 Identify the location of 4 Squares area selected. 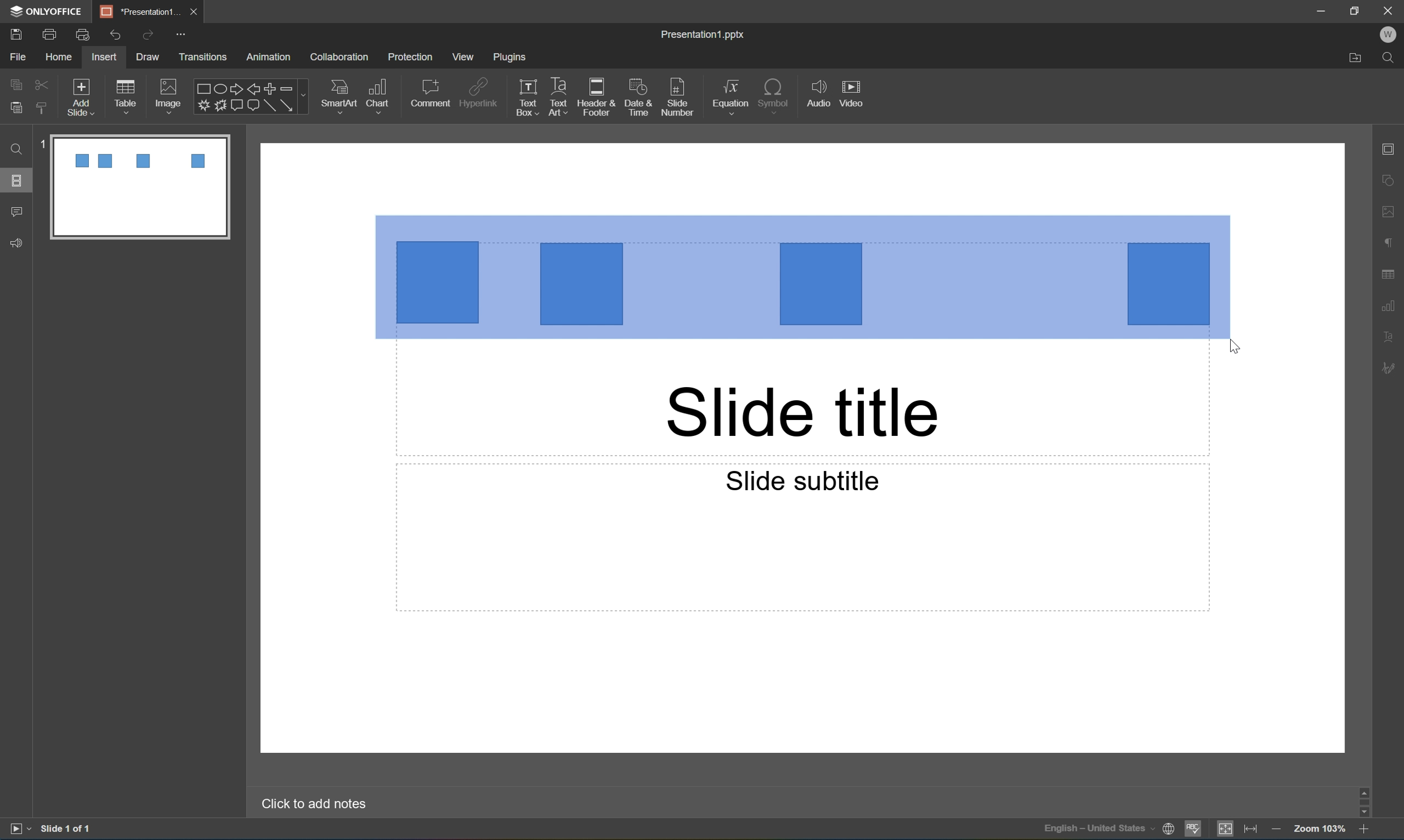
(803, 276).